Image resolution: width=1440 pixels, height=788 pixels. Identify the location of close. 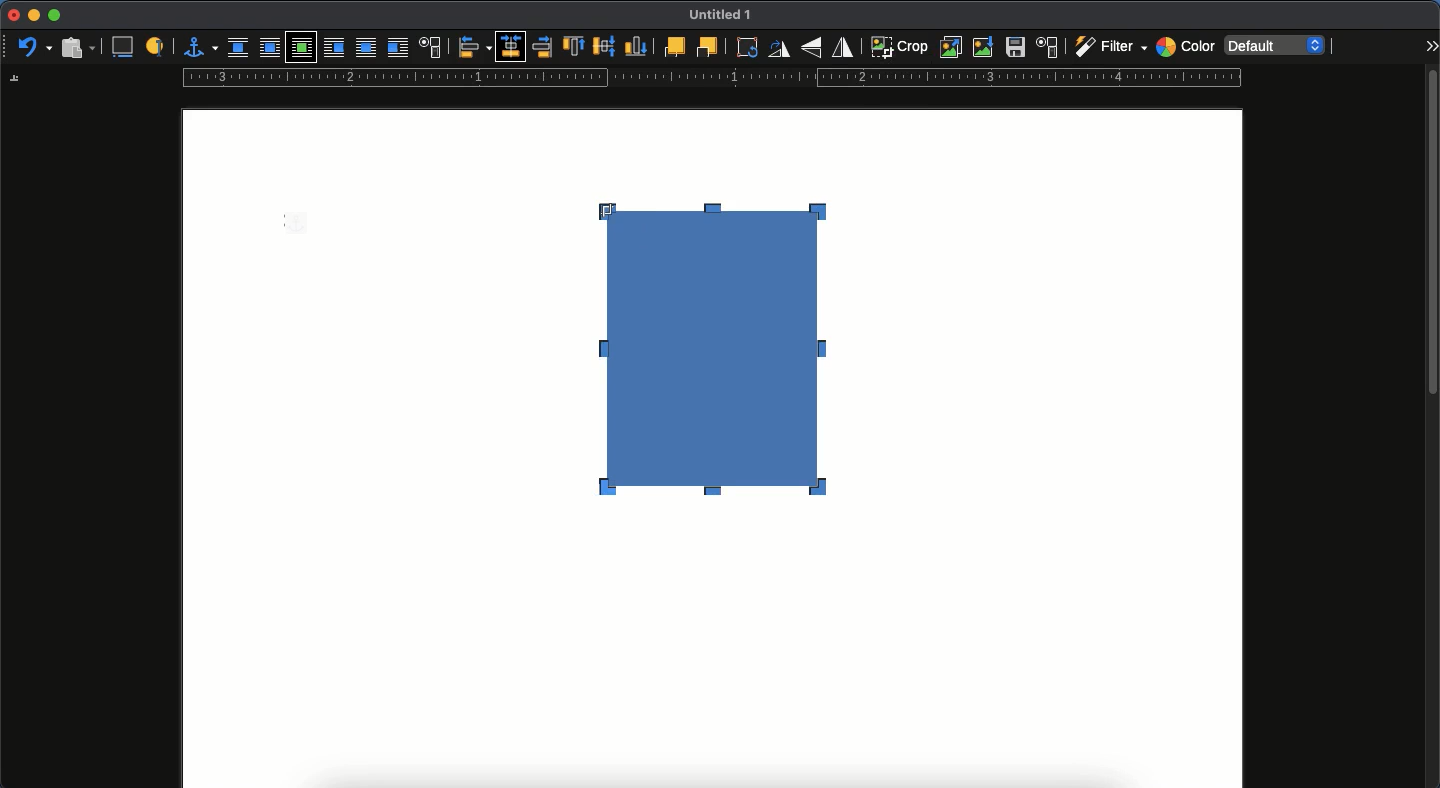
(12, 16).